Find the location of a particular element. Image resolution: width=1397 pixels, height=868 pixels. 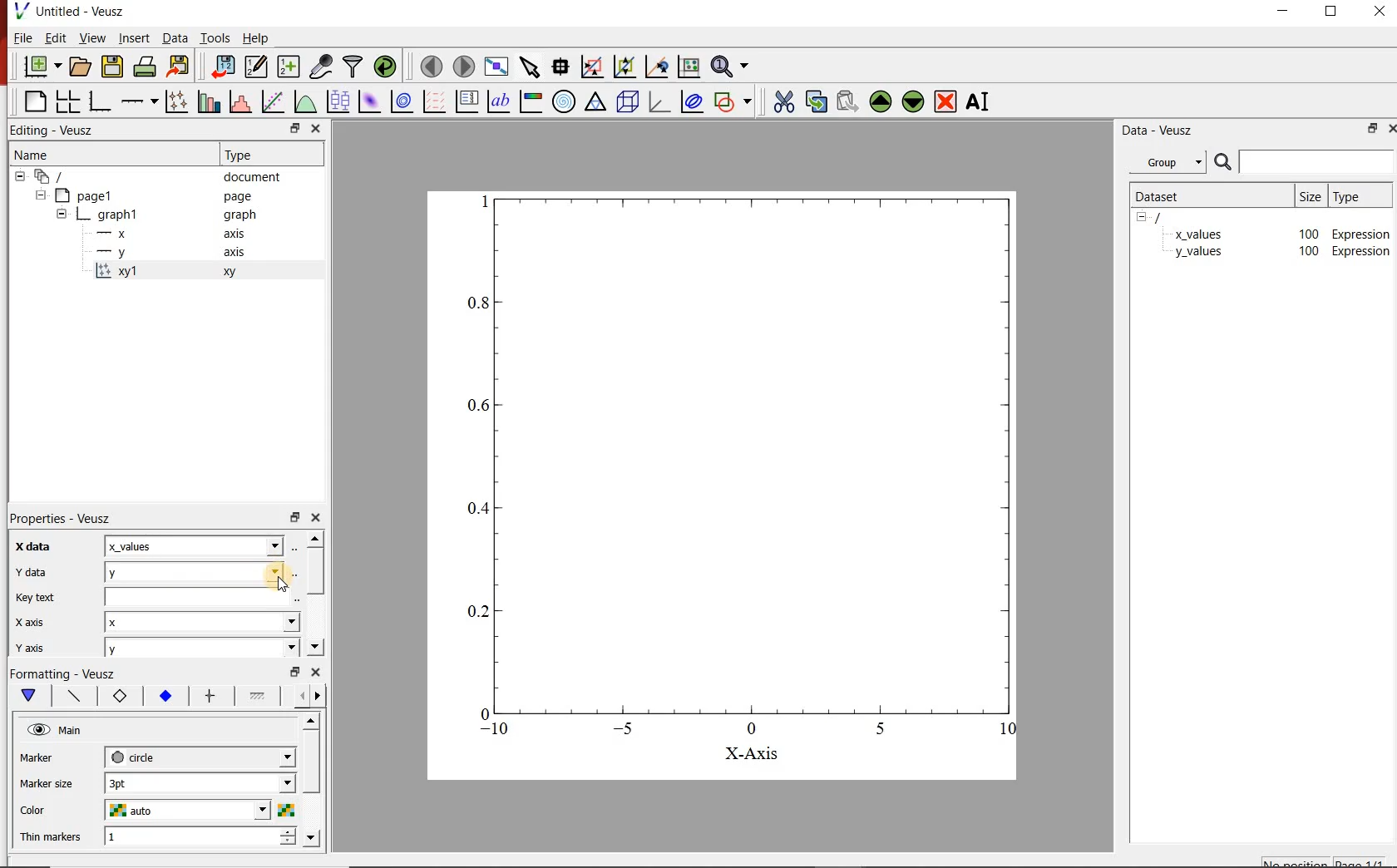

y is located at coordinates (195, 572).